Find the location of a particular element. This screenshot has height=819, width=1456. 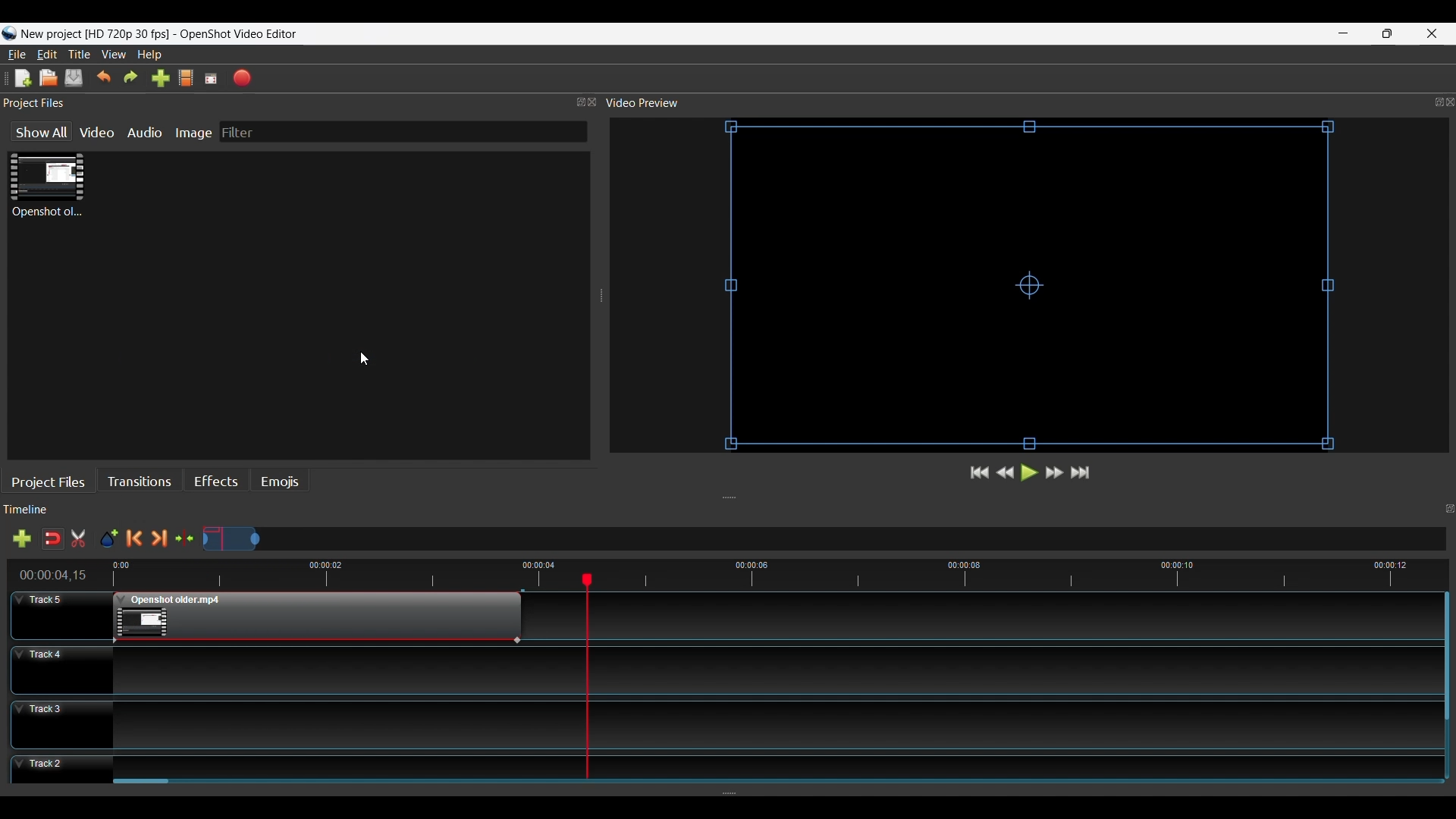

Restore is located at coordinates (1385, 33).